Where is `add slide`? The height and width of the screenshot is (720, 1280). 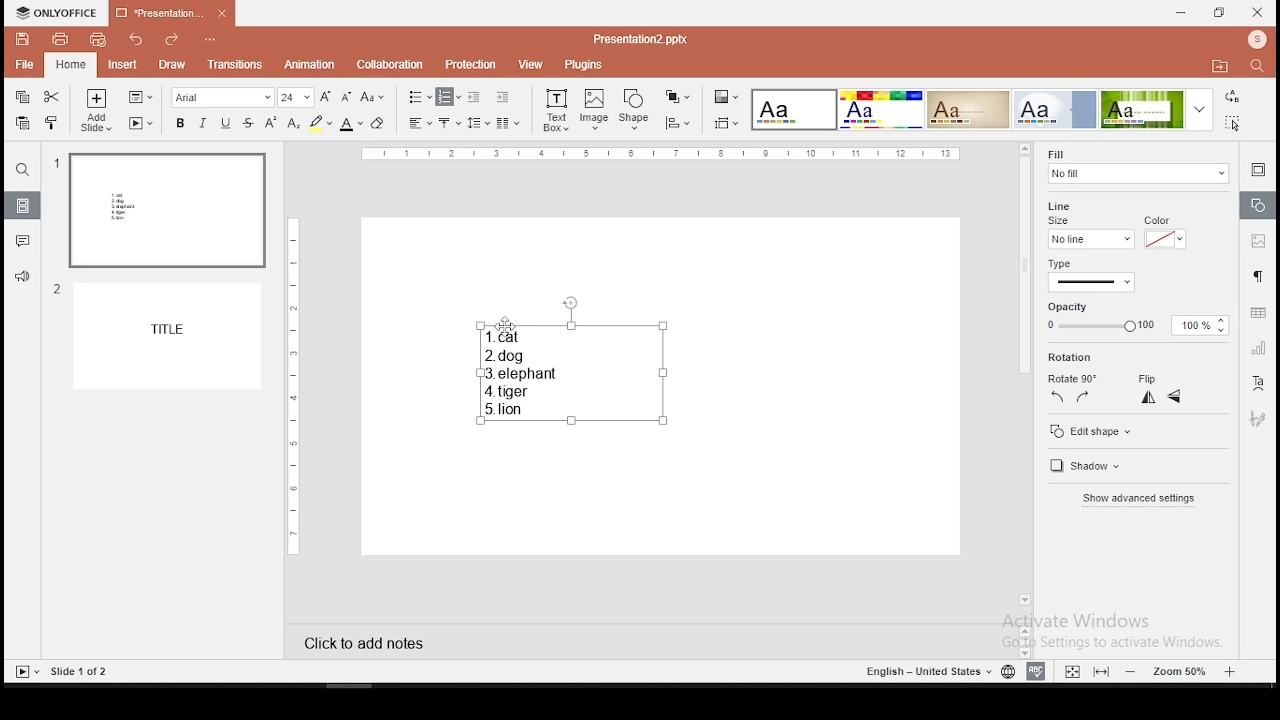 add slide is located at coordinates (97, 110).